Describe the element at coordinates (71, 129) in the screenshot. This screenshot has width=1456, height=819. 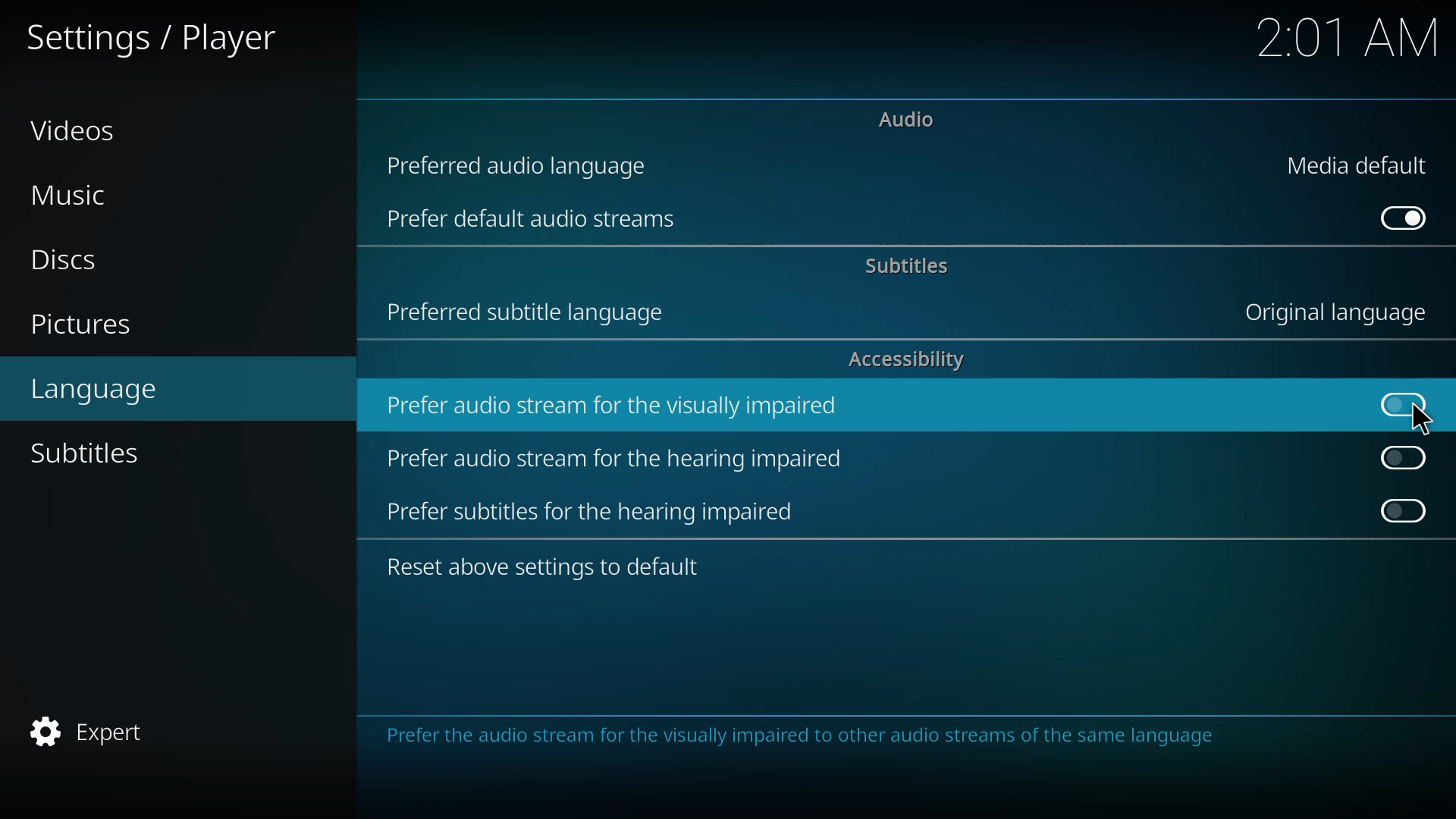
I see `videos` at that location.